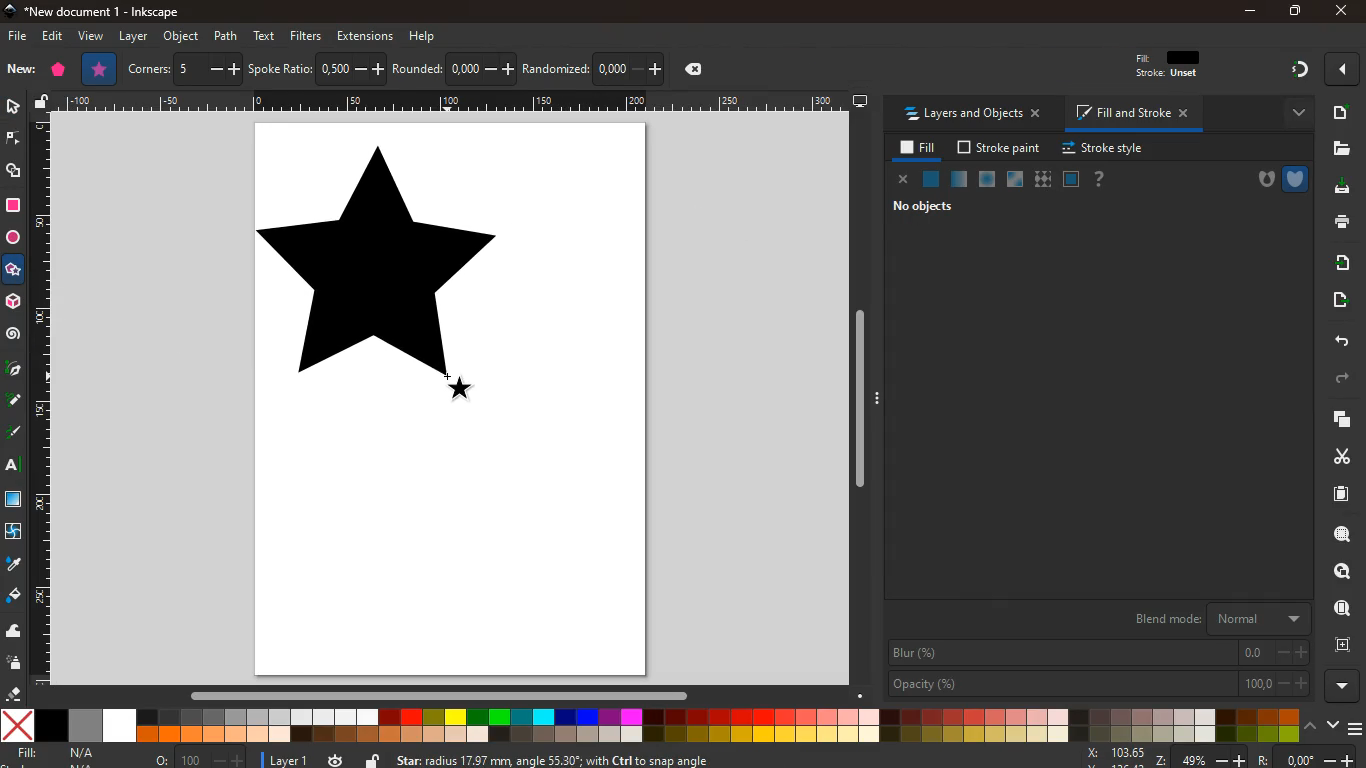  I want to click on image, so click(452, 400).